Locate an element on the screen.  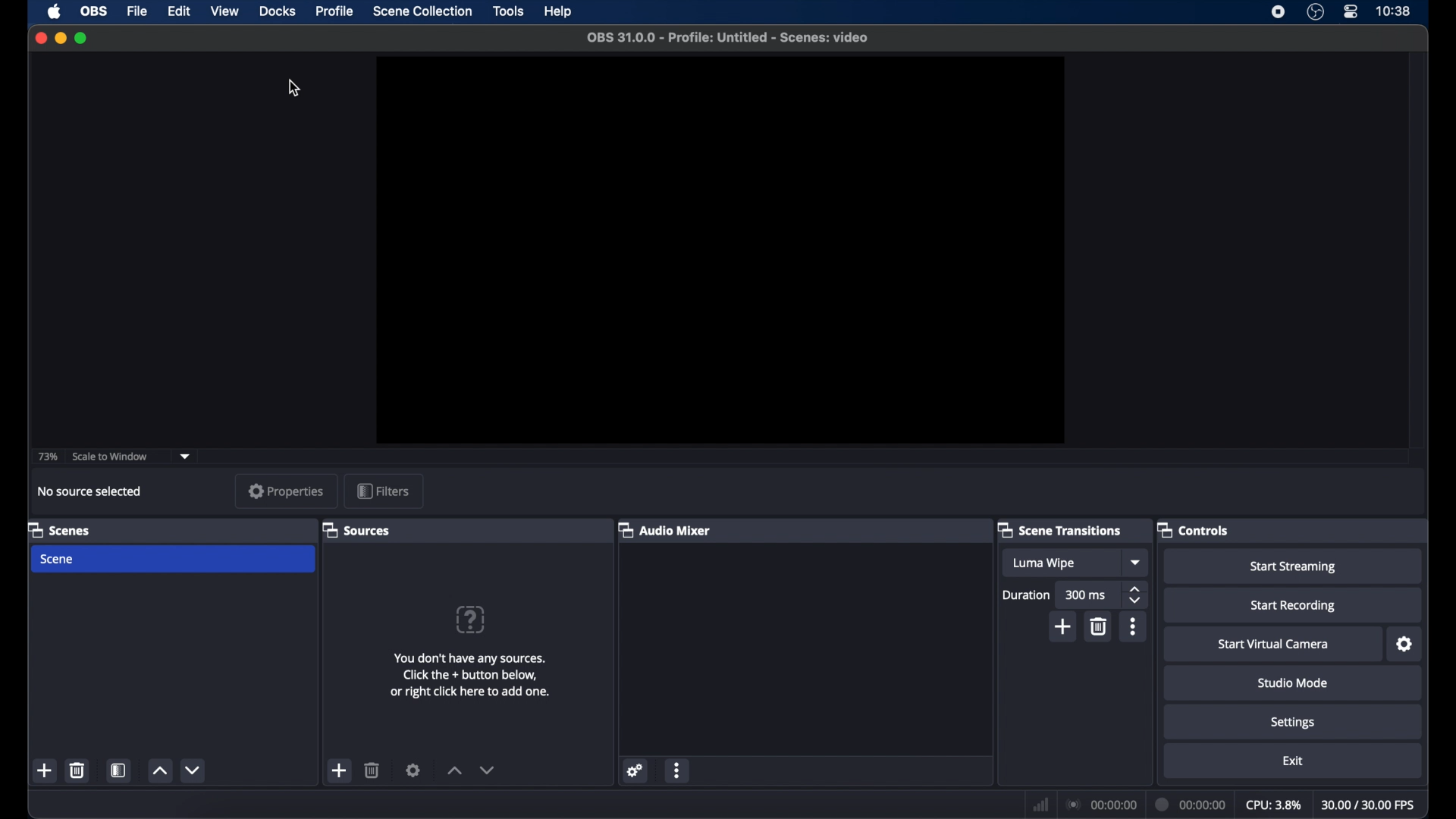
settings is located at coordinates (1293, 723).